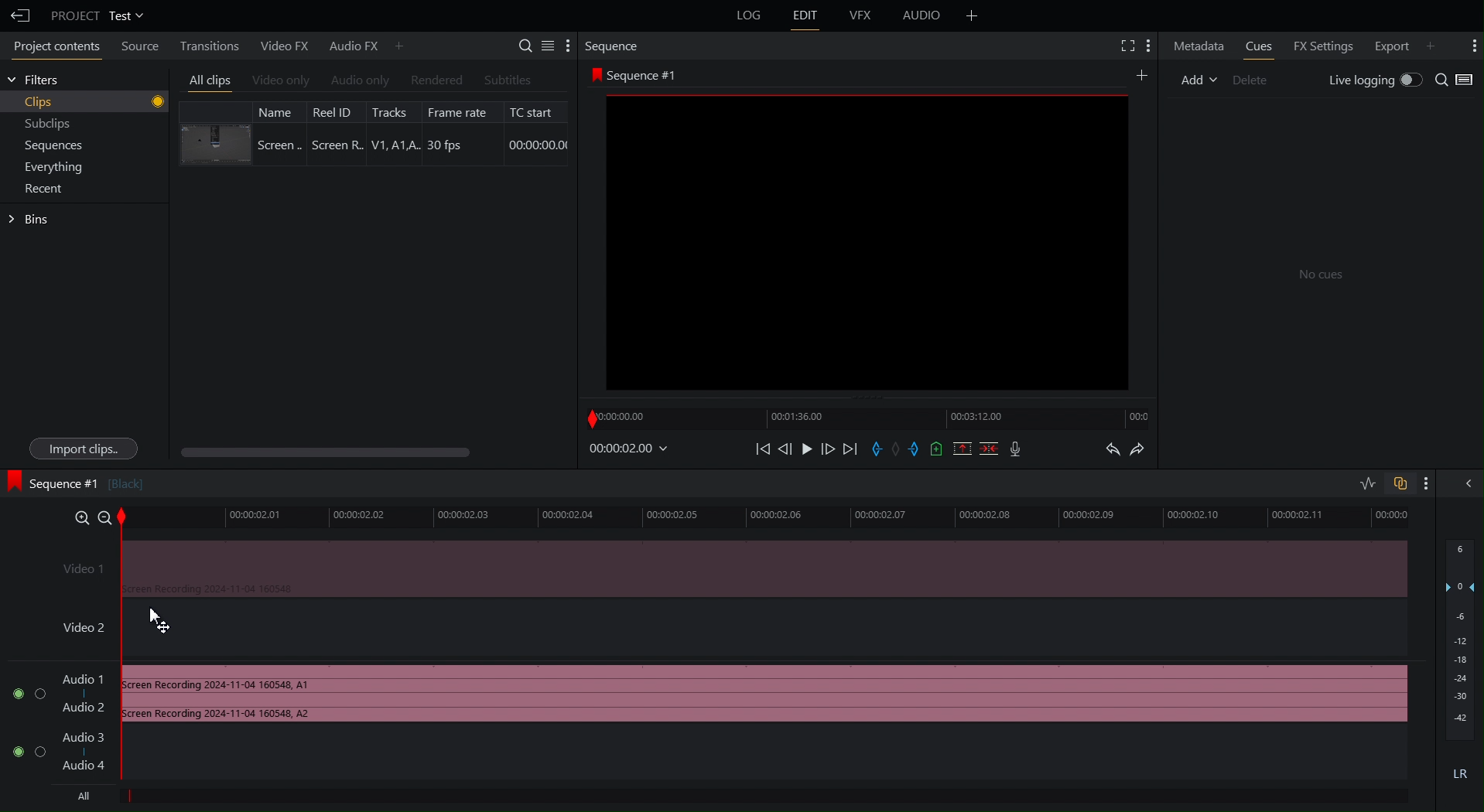 The image size is (1484, 812). I want to click on Video Track 1 Disabled, so click(720, 575).